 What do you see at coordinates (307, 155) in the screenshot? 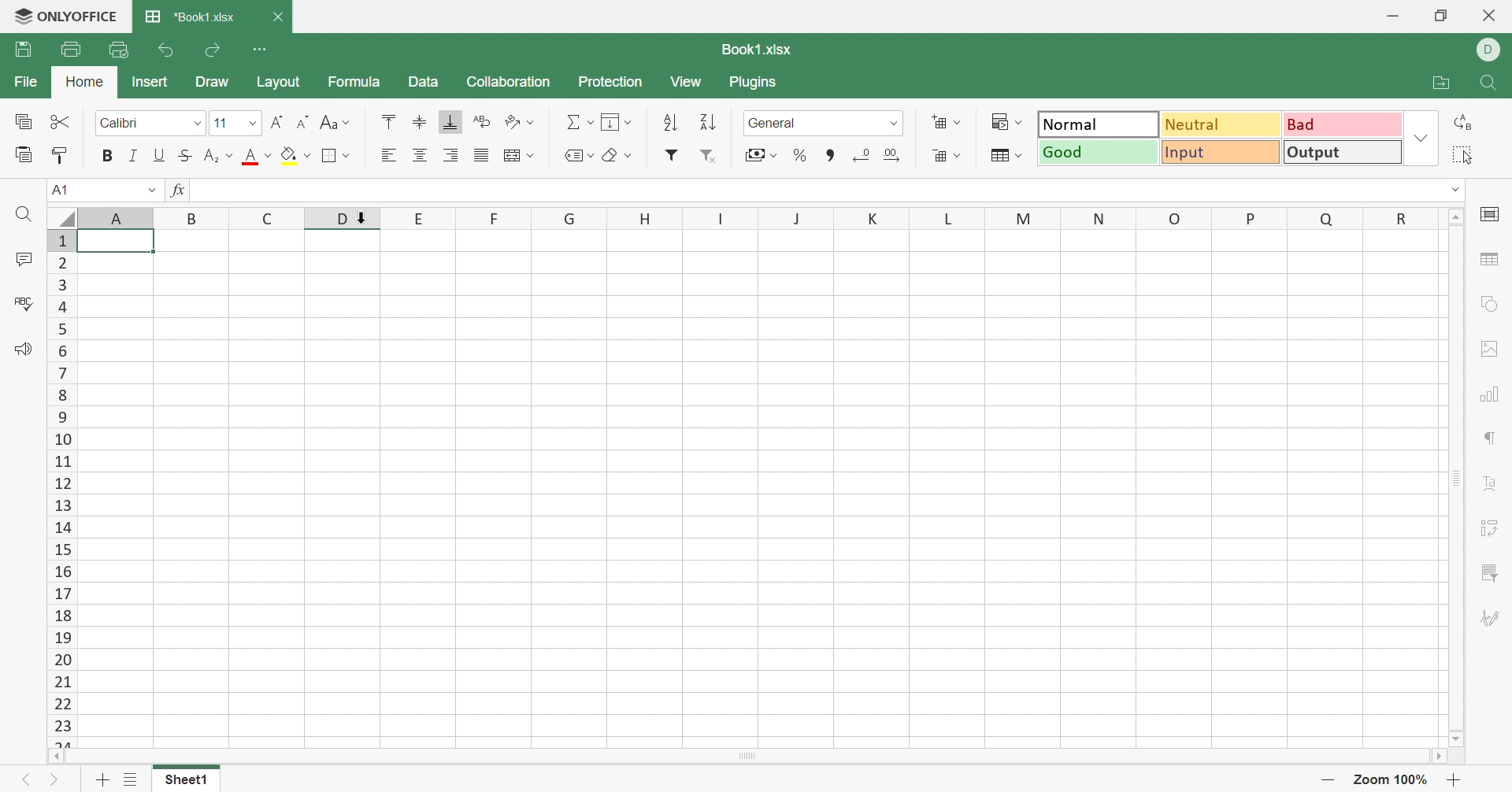
I see `Drop Down` at bounding box center [307, 155].